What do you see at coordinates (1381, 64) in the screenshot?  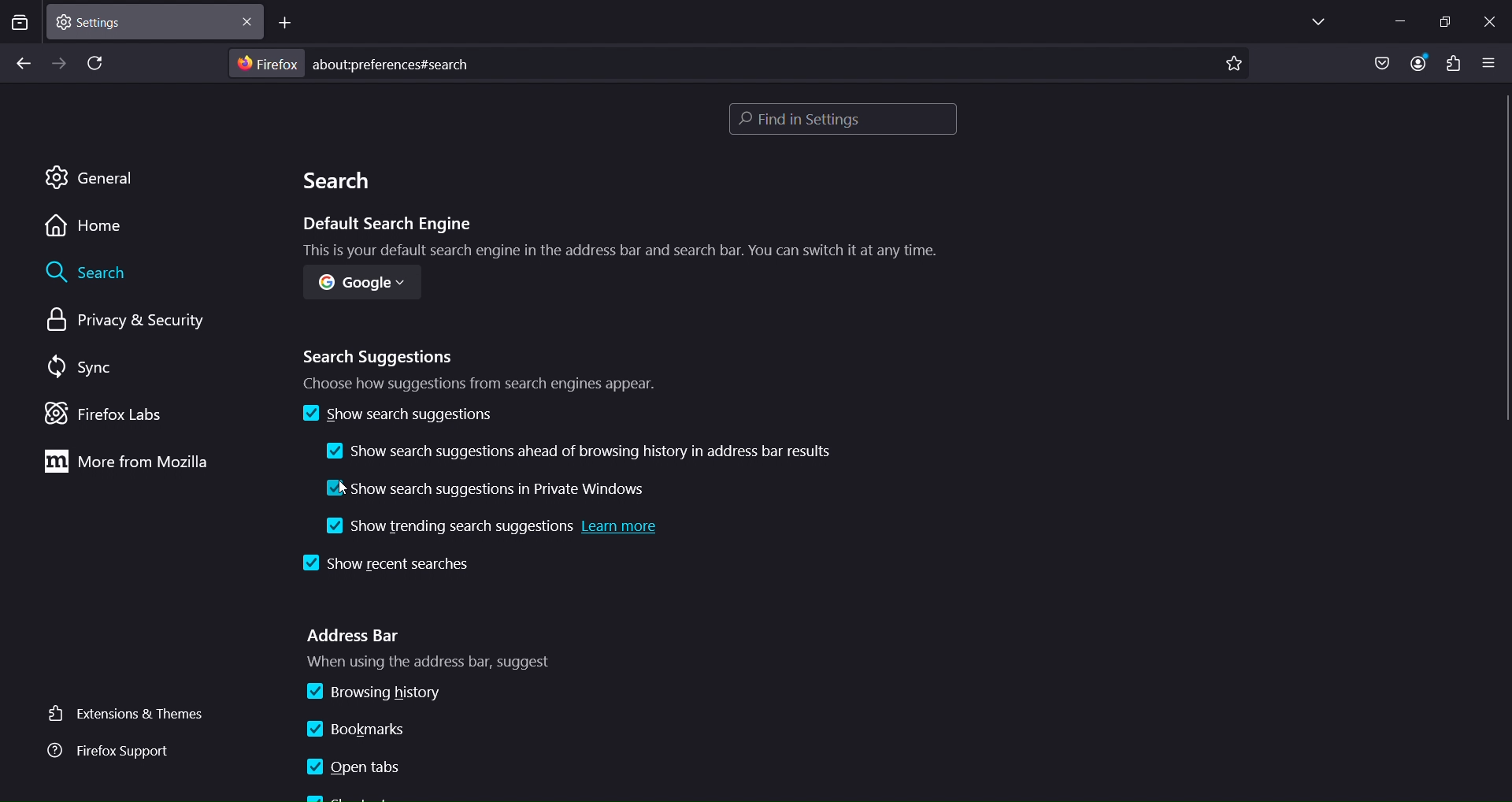 I see `save to pocker` at bounding box center [1381, 64].